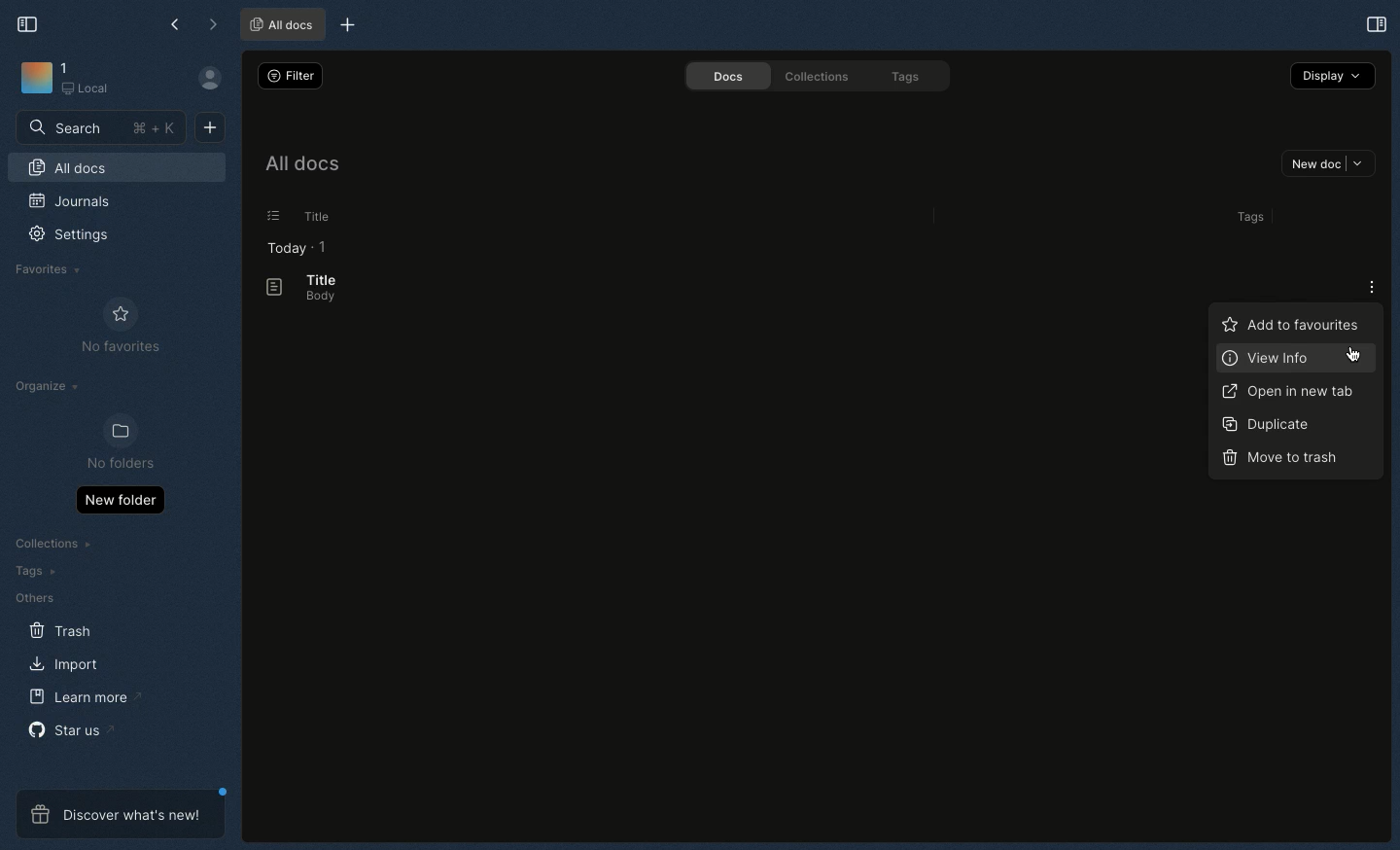  Describe the element at coordinates (213, 26) in the screenshot. I see `Forward` at that location.